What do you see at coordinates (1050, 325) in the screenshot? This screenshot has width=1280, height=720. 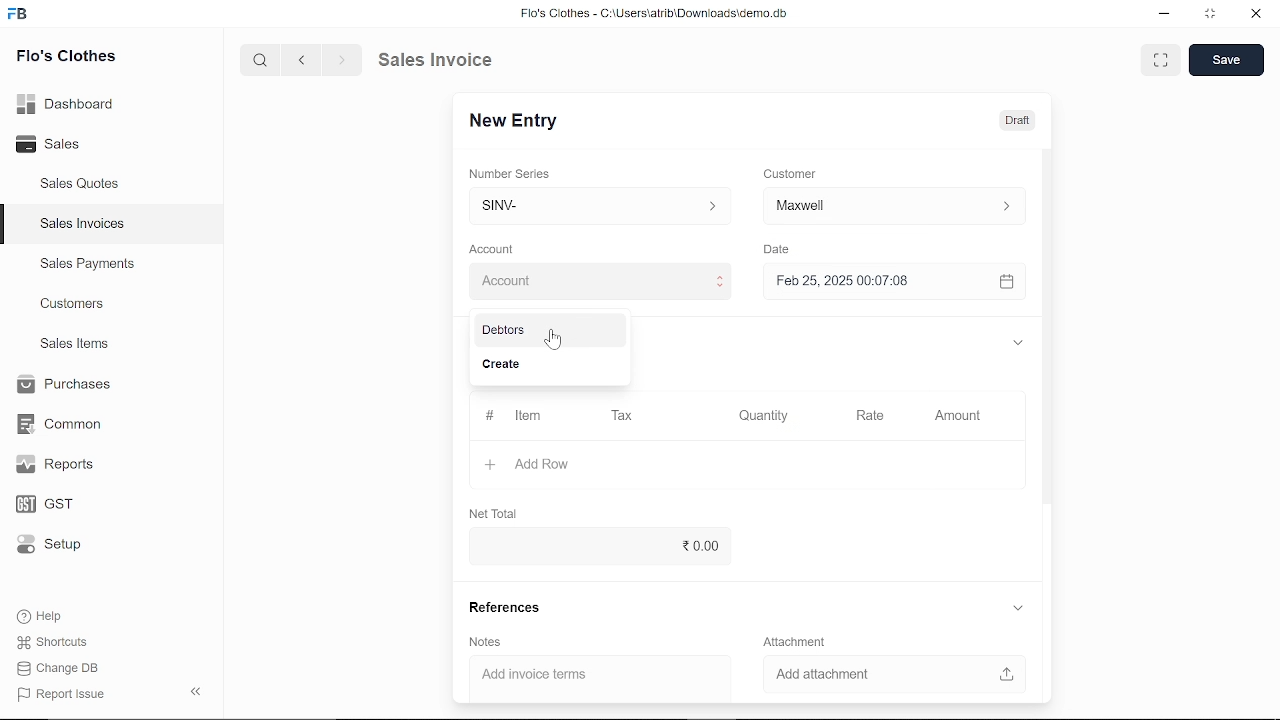 I see `vertical scrollbar` at bounding box center [1050, 325].